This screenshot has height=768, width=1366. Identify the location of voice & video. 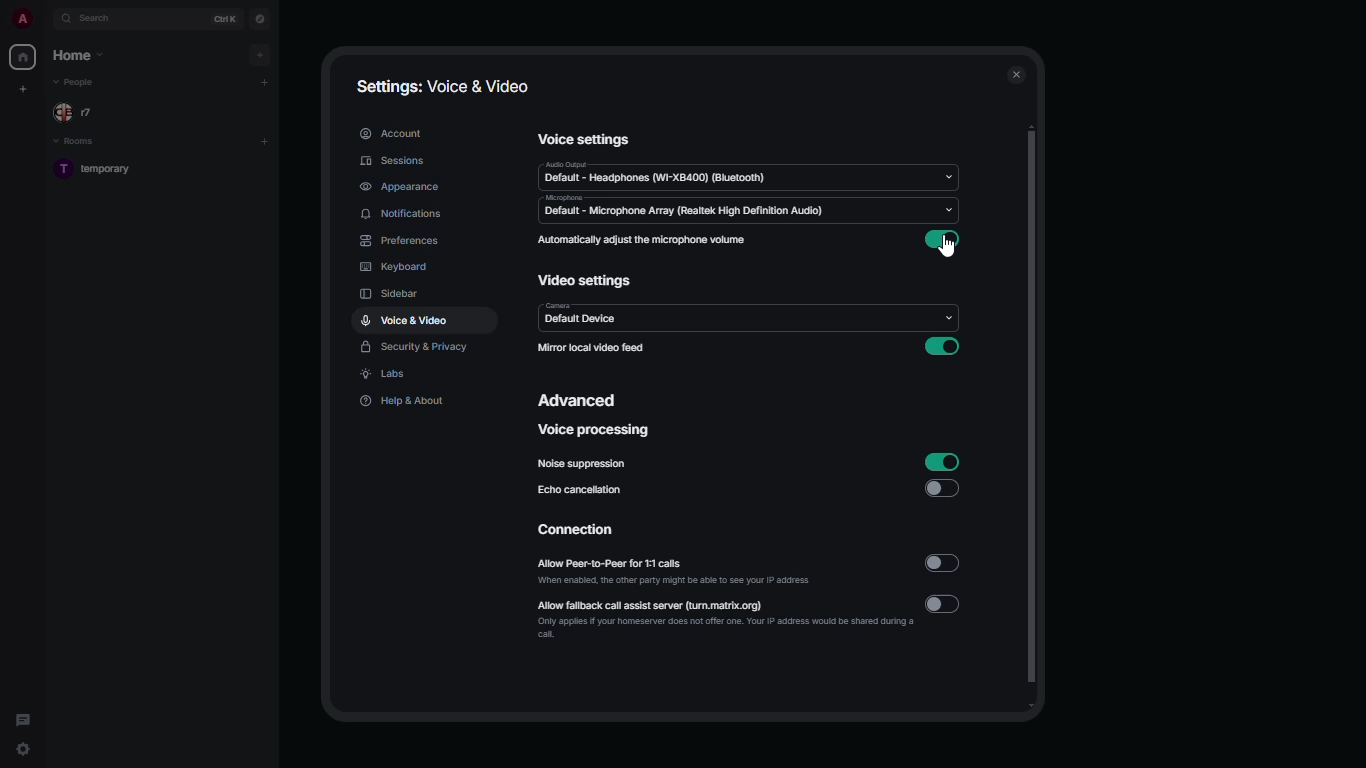
(404, 320).